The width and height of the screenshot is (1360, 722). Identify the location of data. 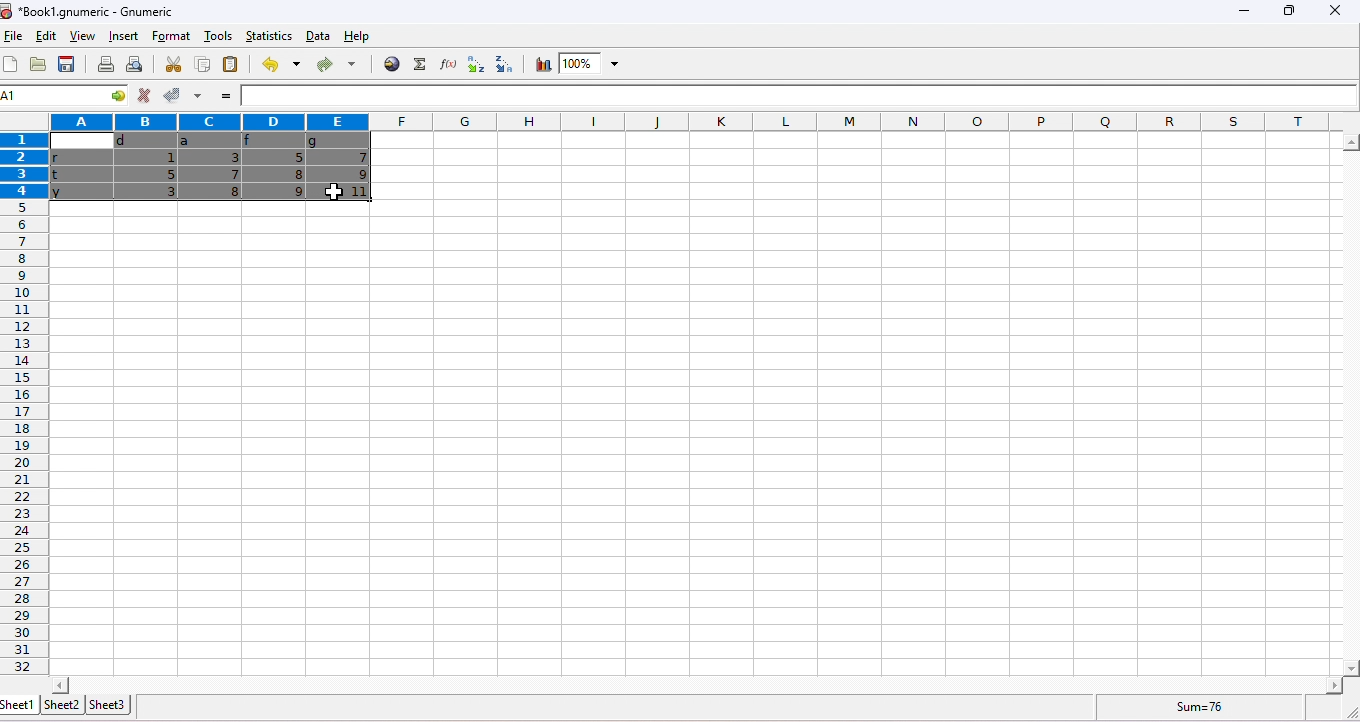
(318, 36).